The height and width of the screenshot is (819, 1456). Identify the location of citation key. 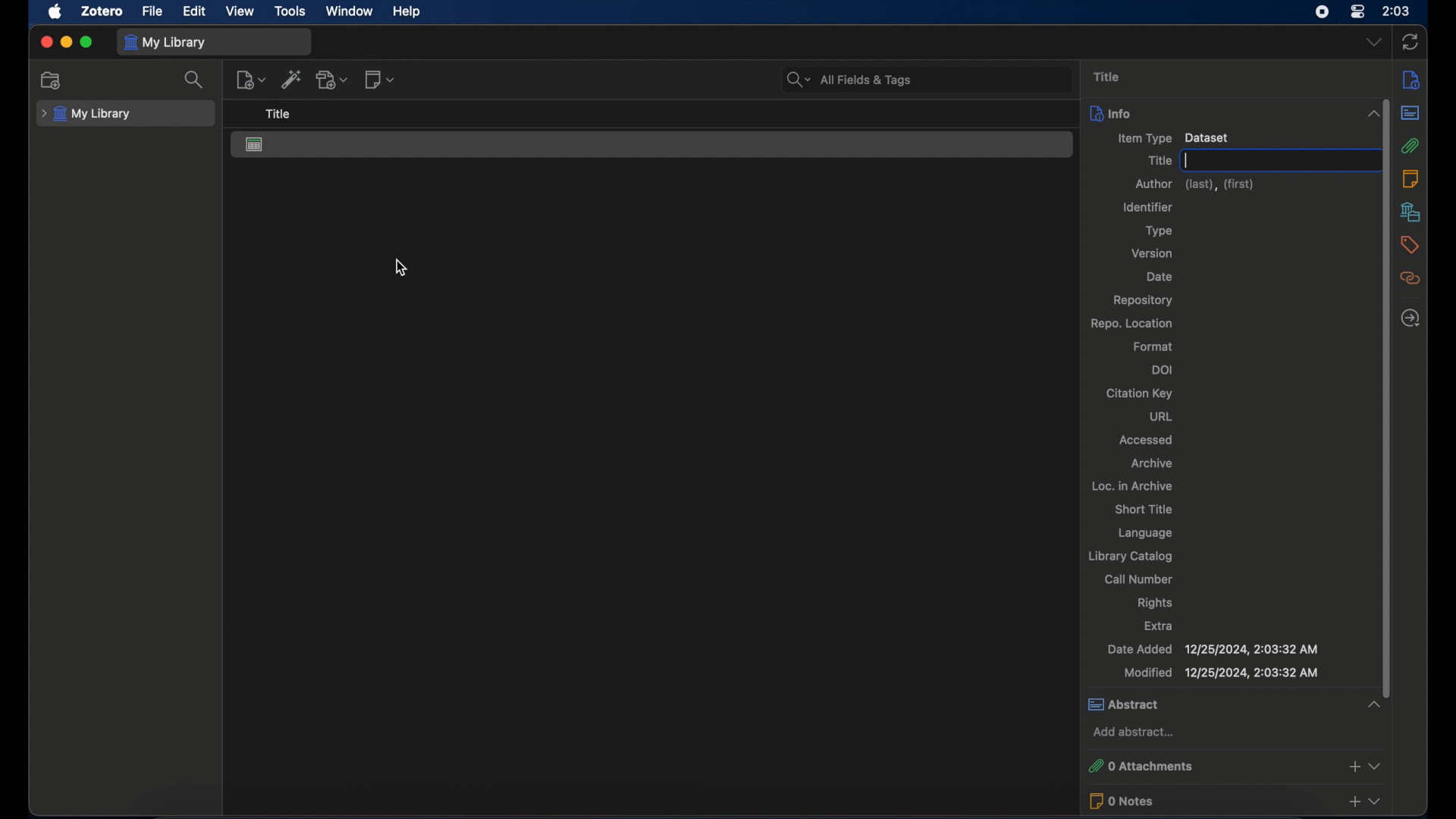
(1139, 394).